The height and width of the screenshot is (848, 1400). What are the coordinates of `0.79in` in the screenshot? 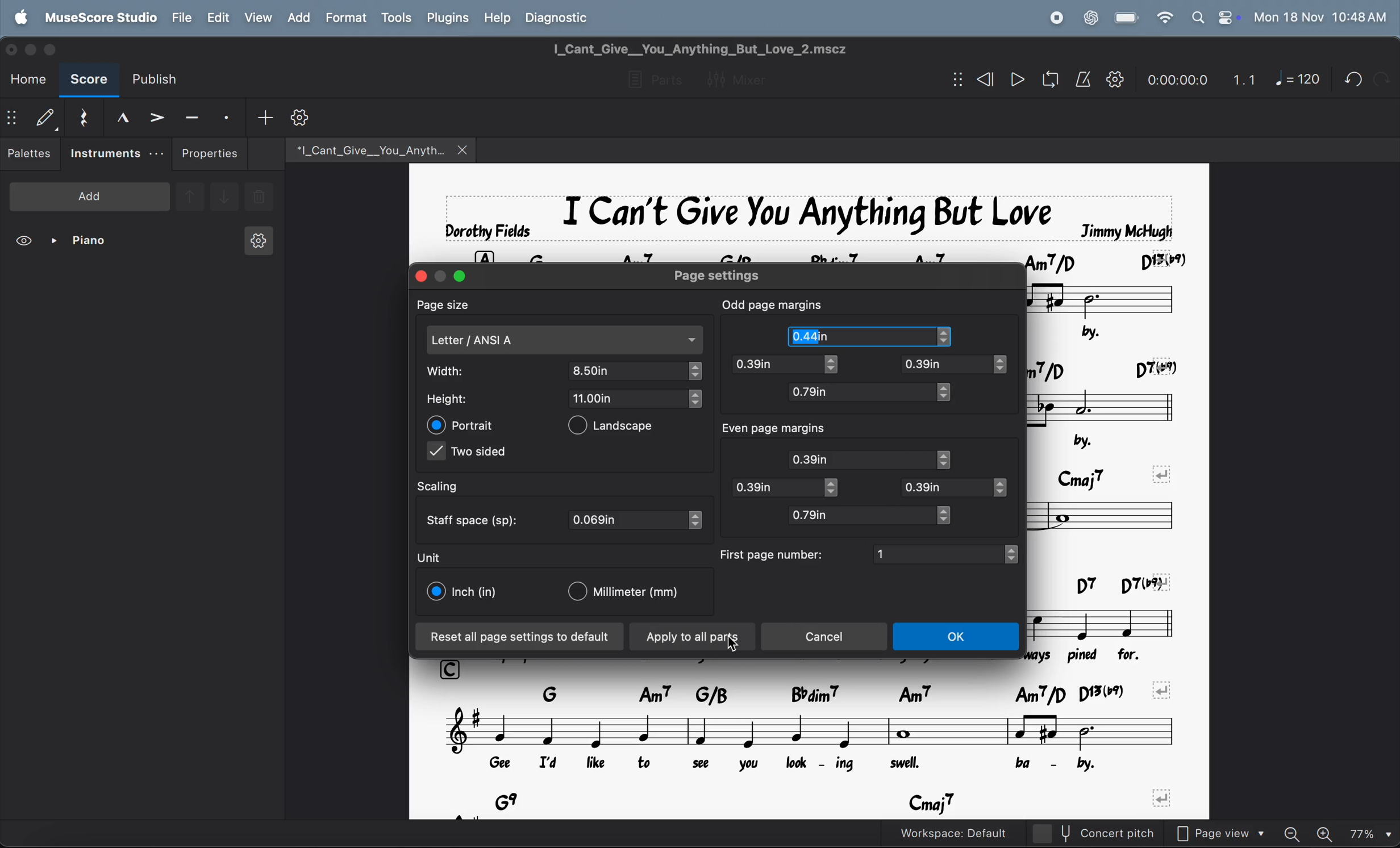 It's located at (859, 515).